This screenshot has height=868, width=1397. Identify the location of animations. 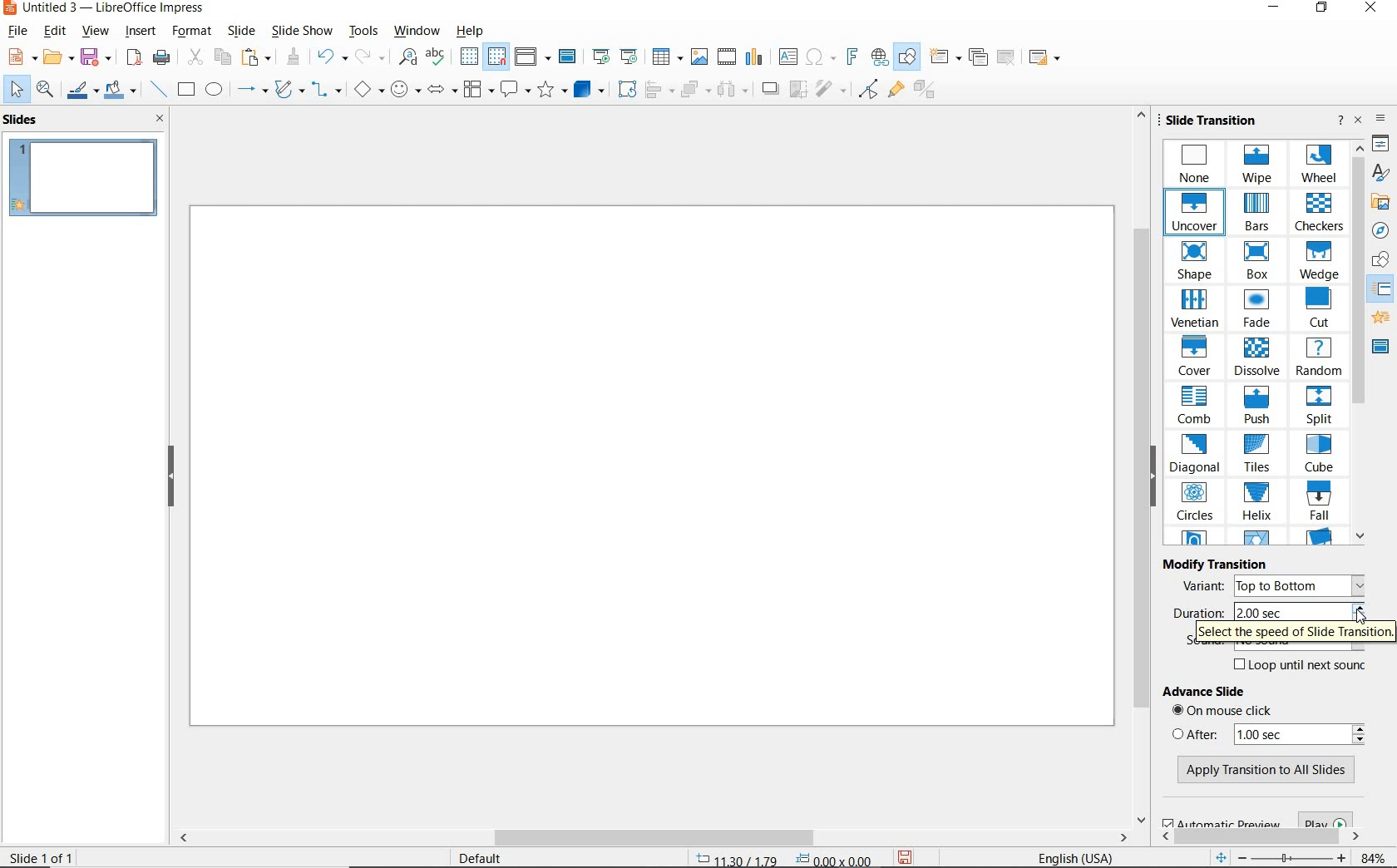
(1380, 318).